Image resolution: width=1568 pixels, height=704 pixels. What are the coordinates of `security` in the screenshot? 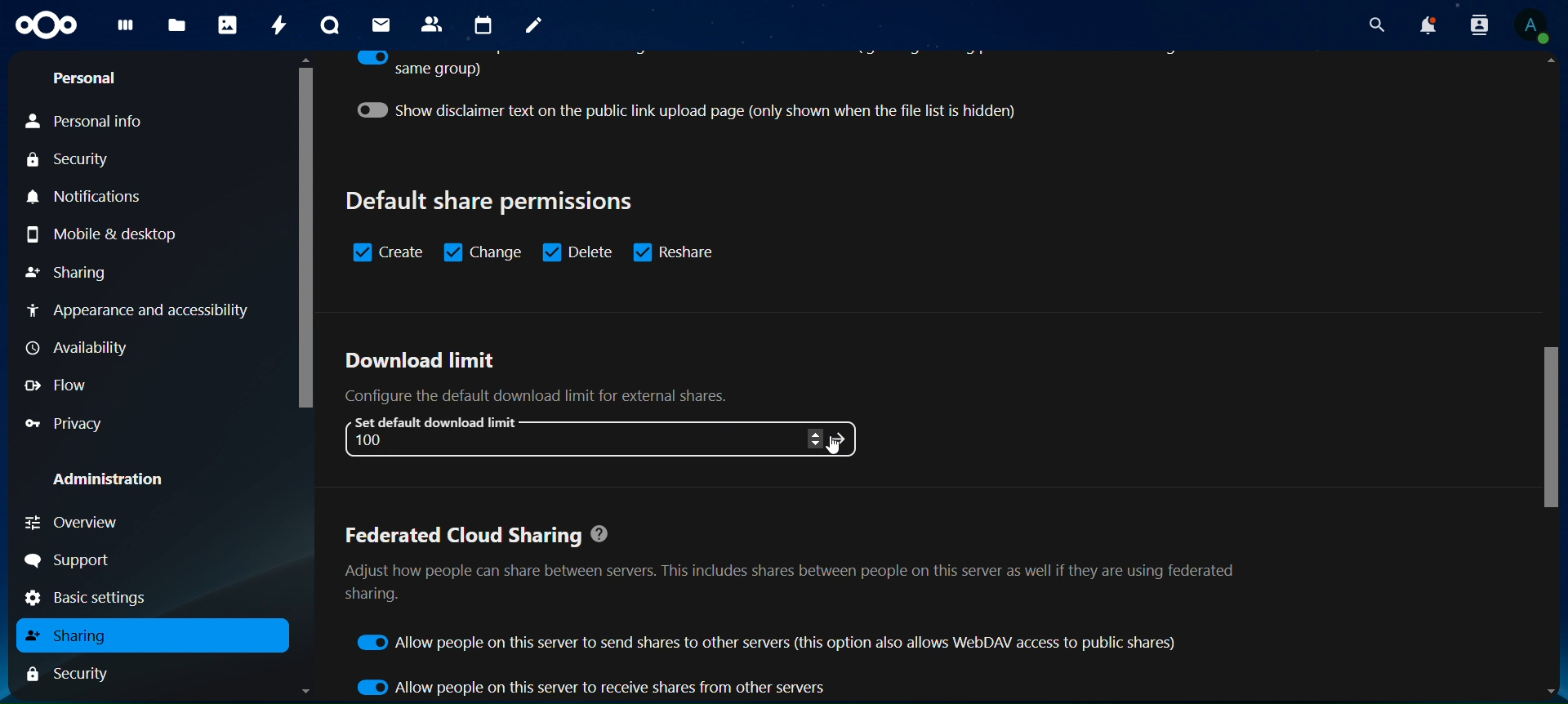 It's located at (68, 672).